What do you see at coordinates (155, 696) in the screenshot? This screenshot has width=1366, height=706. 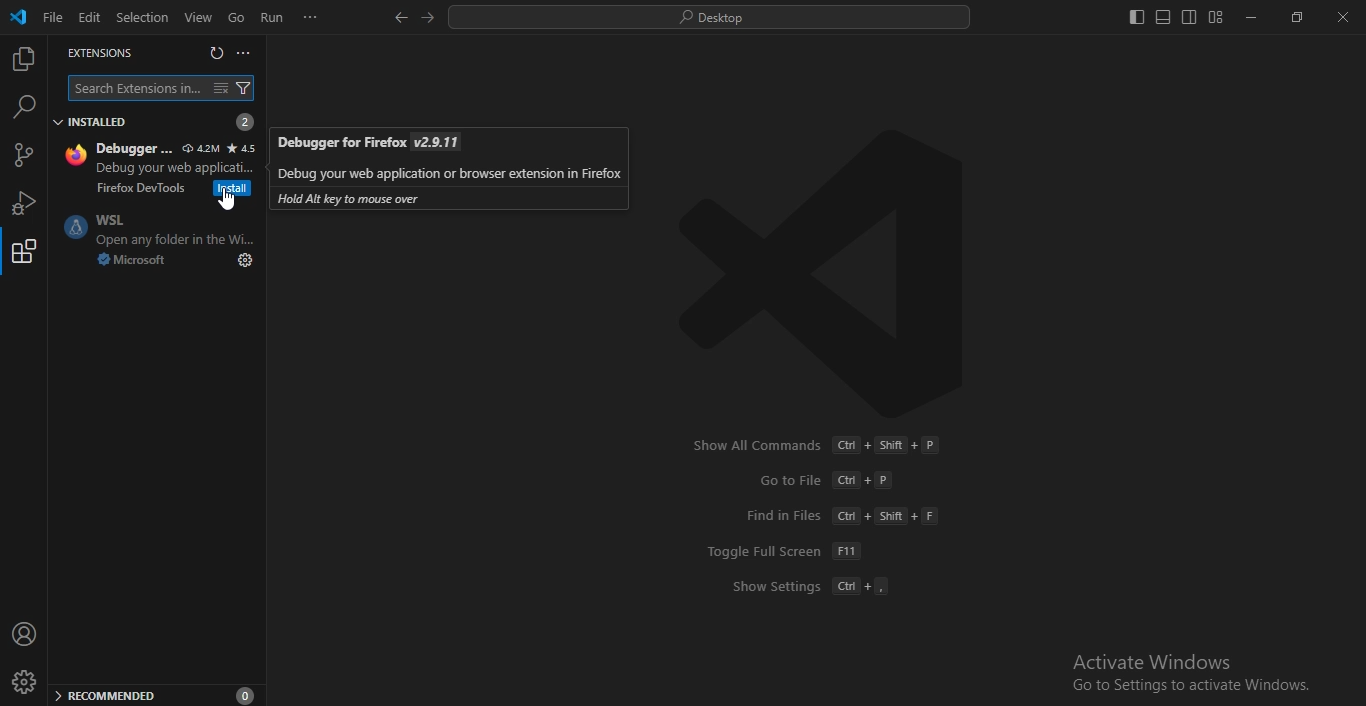 I see `recommended` at bounding box center [155, 696].